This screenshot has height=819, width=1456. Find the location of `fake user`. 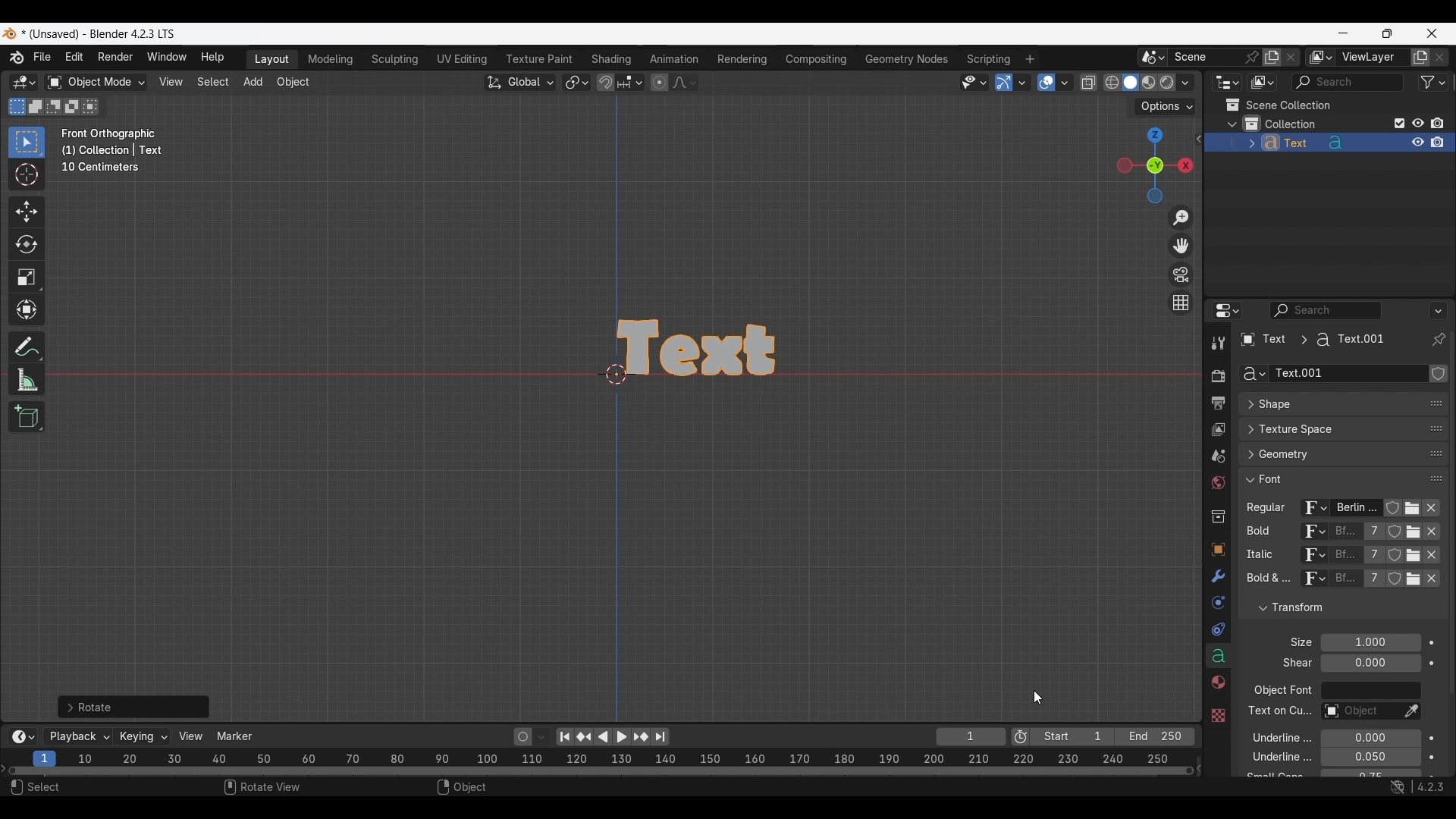

fake user is located at coordinates (1397, 585).